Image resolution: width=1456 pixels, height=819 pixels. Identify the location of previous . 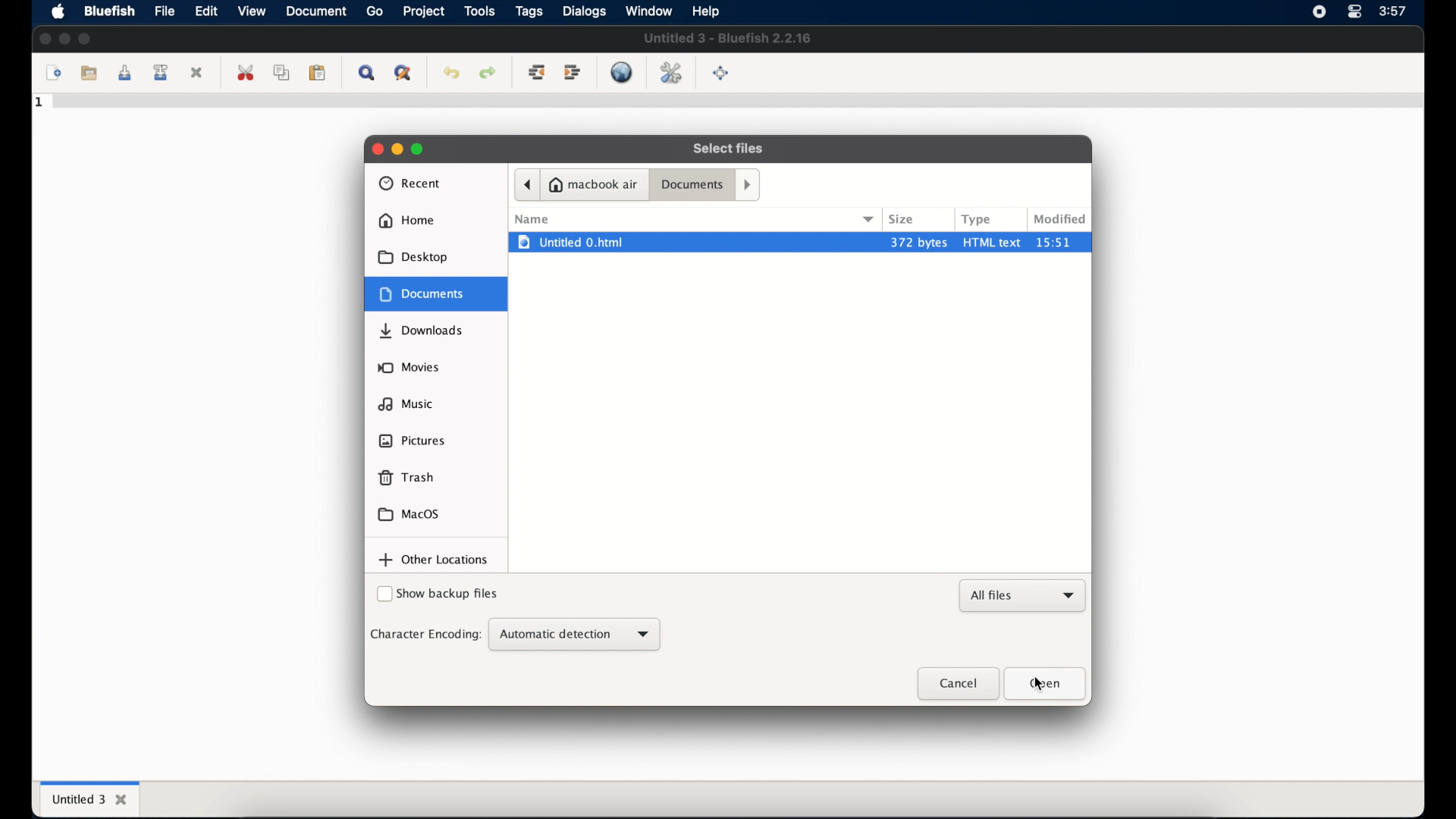
(526, 184).